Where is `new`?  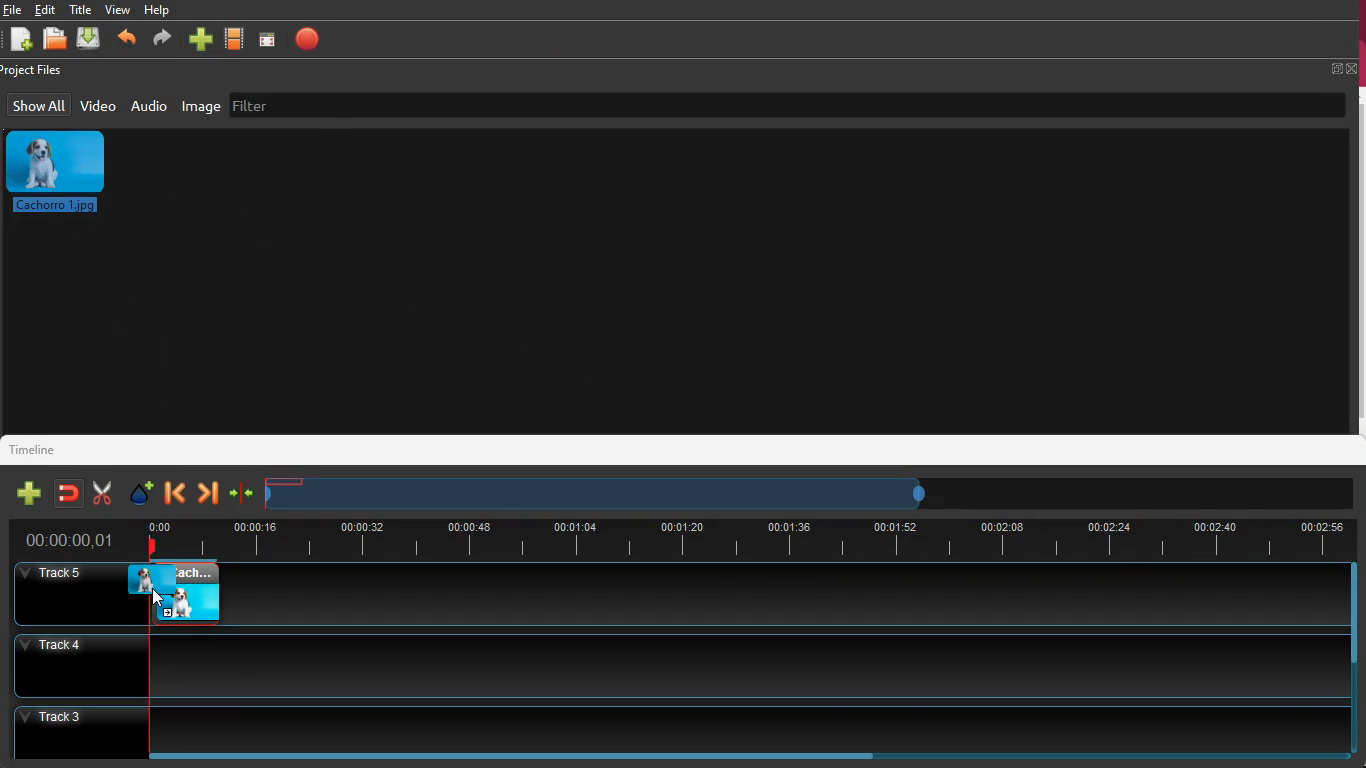
new is located at coordinates (29, 493).